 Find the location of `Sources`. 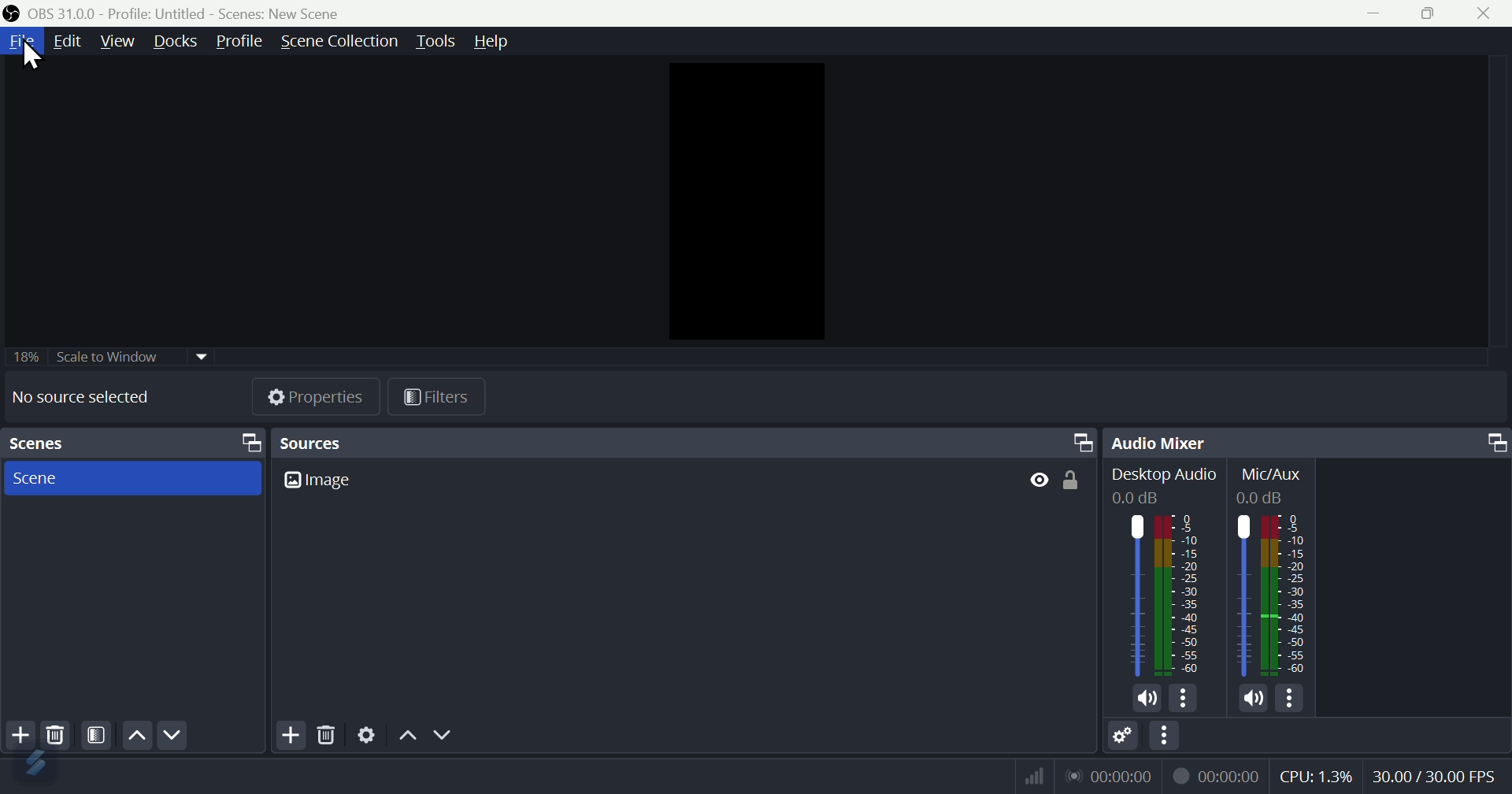

Sources is located at coordinates (684, 443).